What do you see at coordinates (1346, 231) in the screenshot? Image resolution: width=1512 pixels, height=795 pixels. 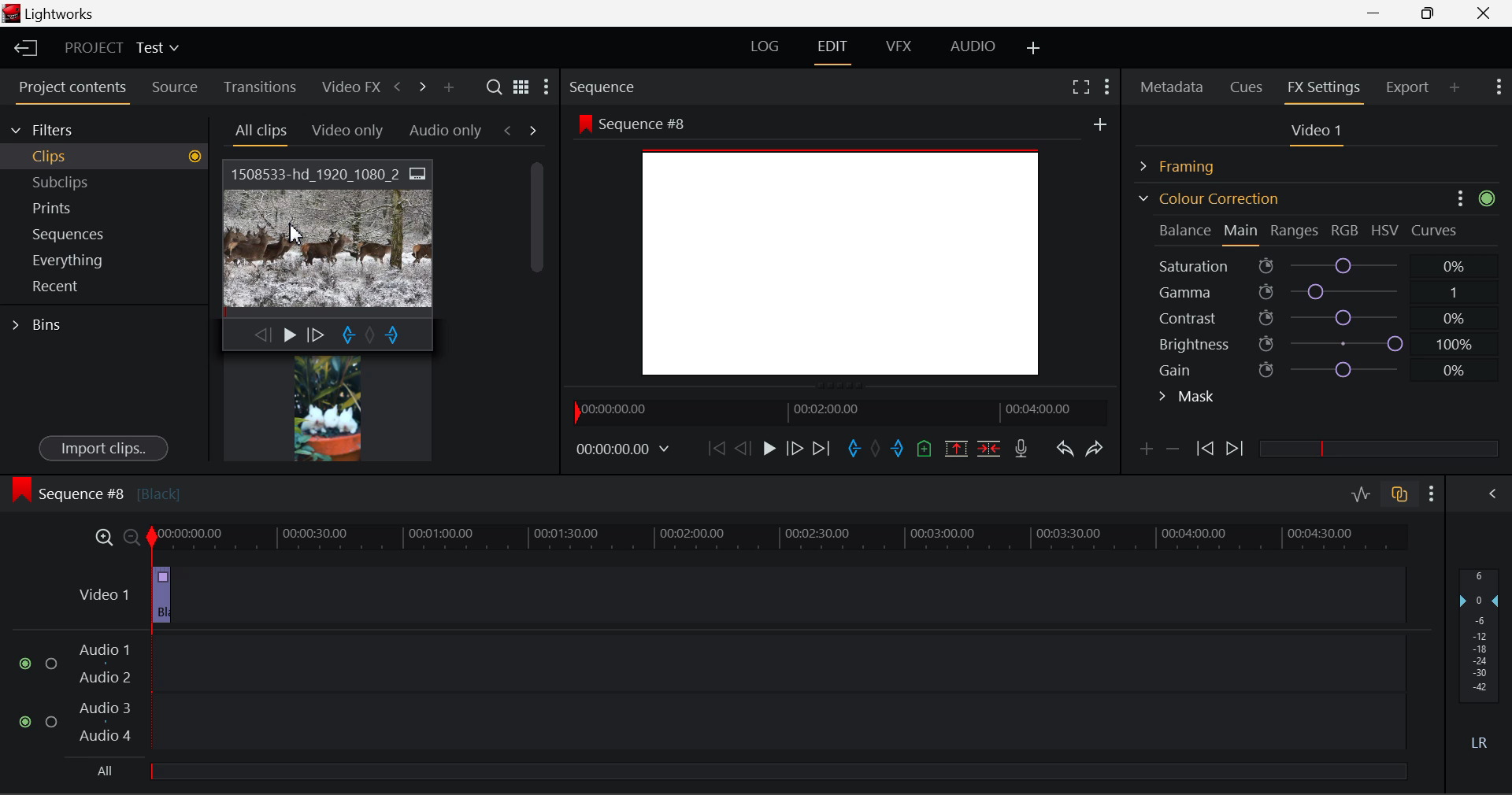 I see `RGB` at bounding box center [1346, 231].